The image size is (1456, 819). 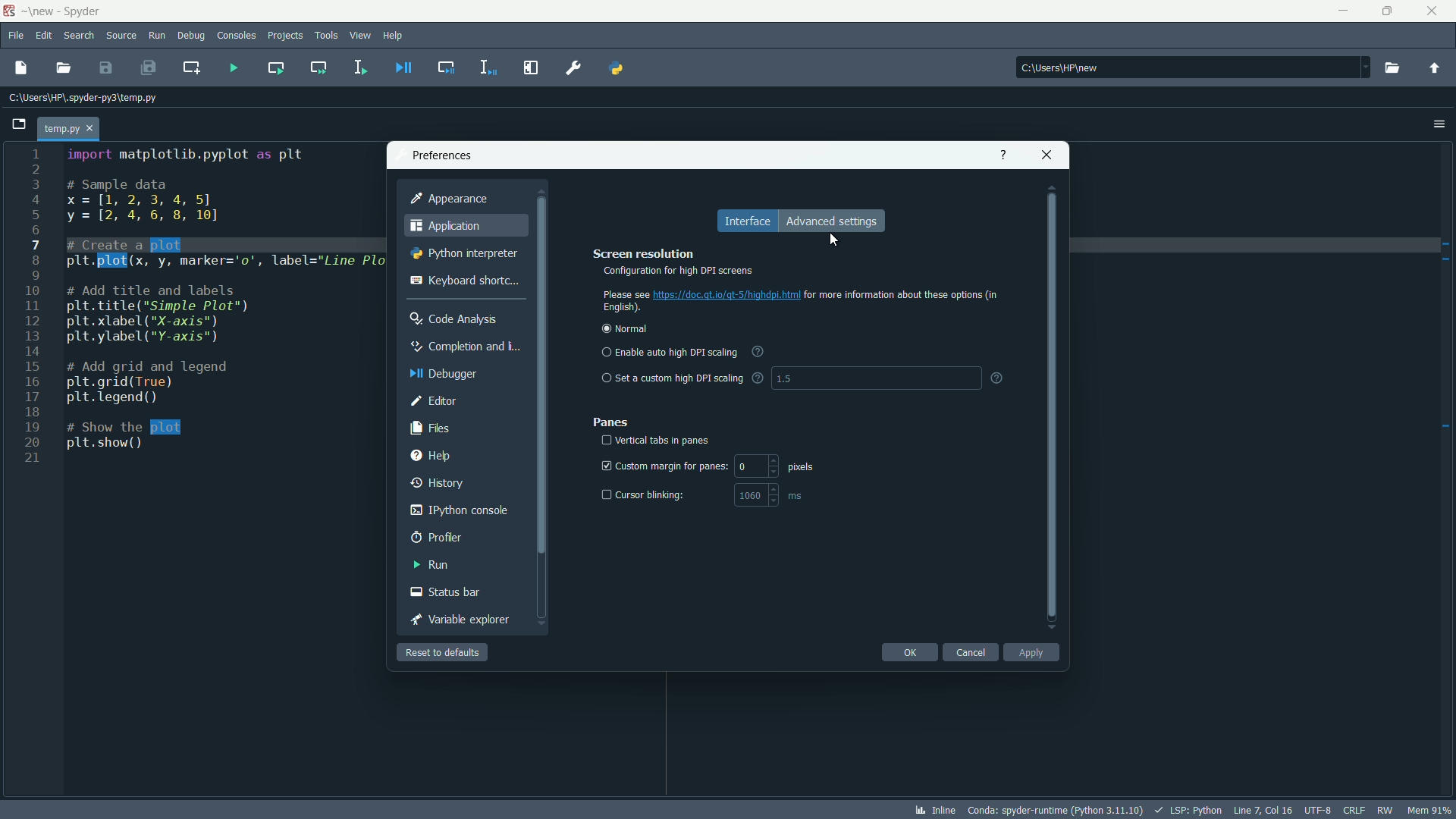 What do you see at coordinates (464, 347) in the screenshot?
I see `completion and linting` at bounding box center [464, 347].